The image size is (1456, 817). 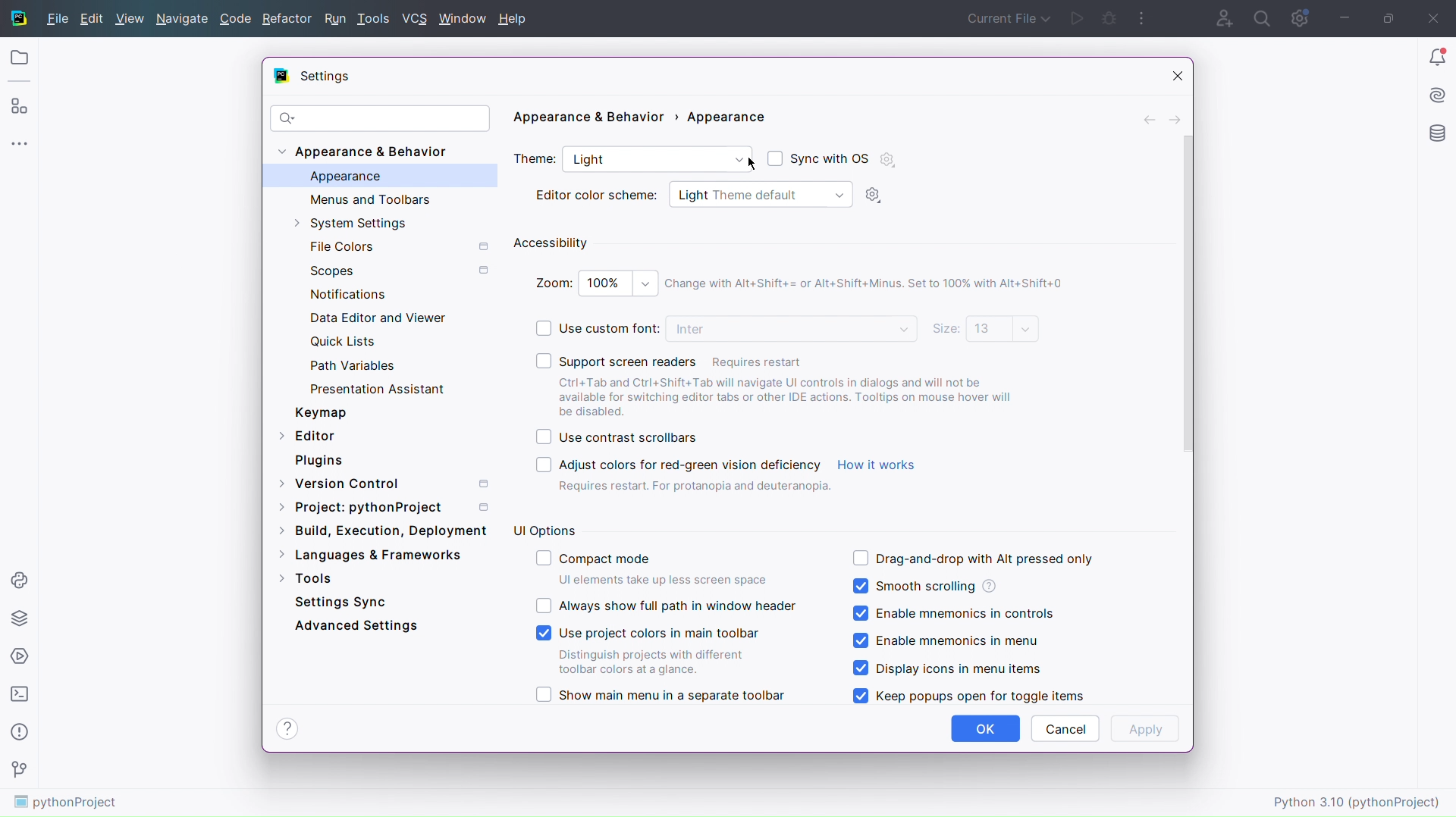 What do you see at coordinates (20, 578) in the screenshot?
I see `Python Console` at bounding box center [20, 578].